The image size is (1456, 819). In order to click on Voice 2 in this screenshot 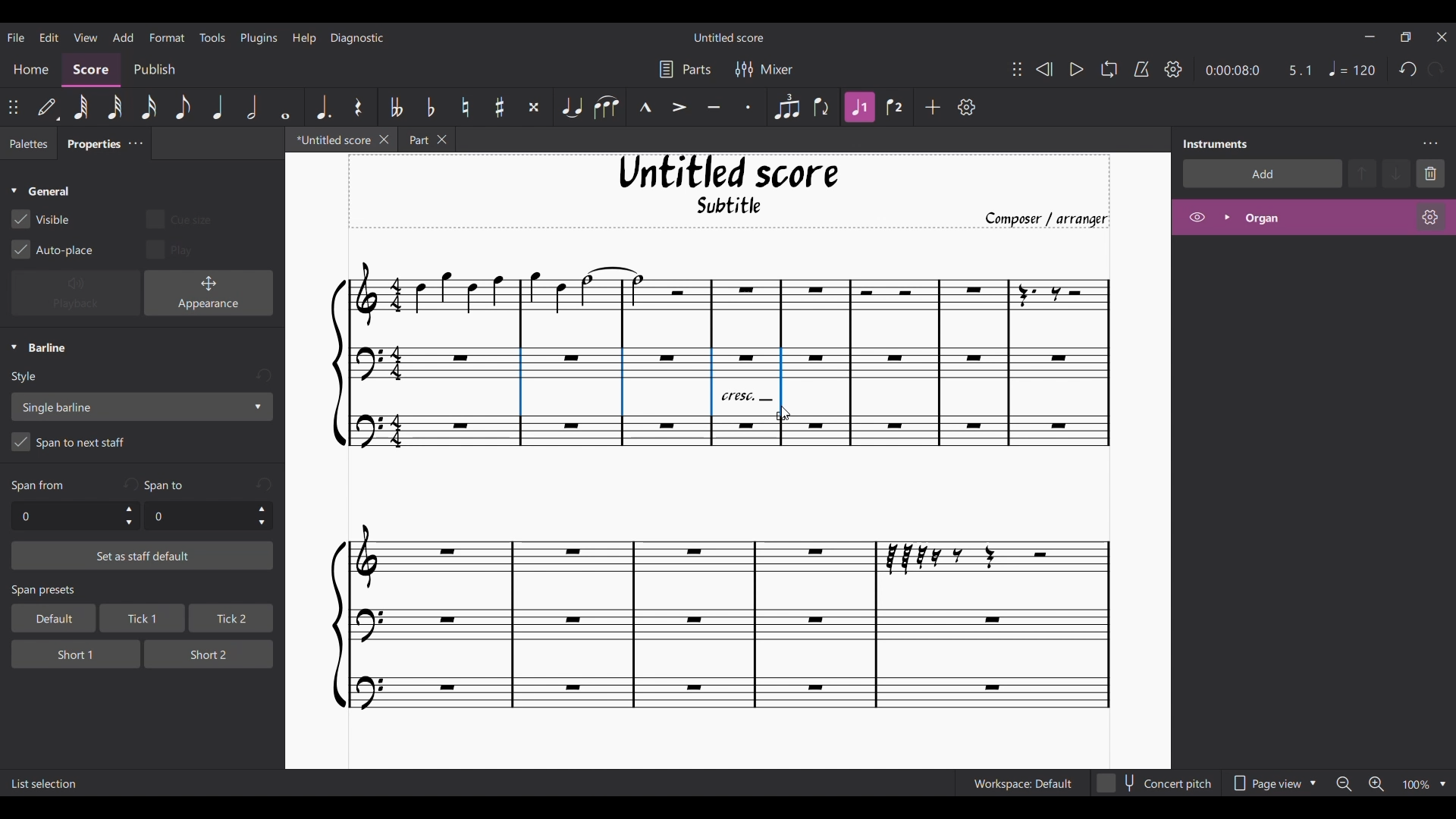, I will do `click(896, 107)`.